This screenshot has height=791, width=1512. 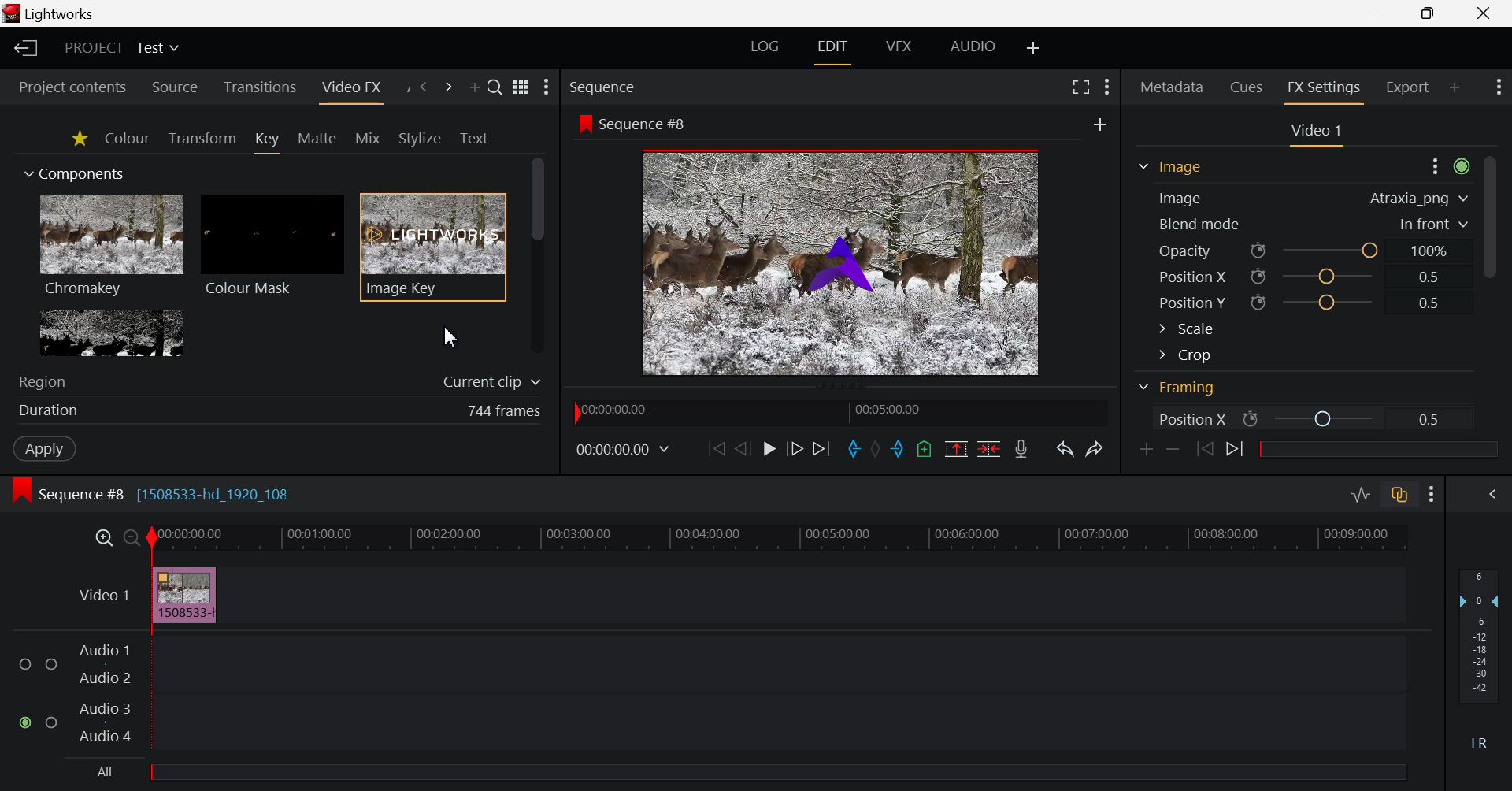 What do you see at coordinates (1255, 354) in the screenshot?
I see `Crop` at bounding box center [1255, 354].